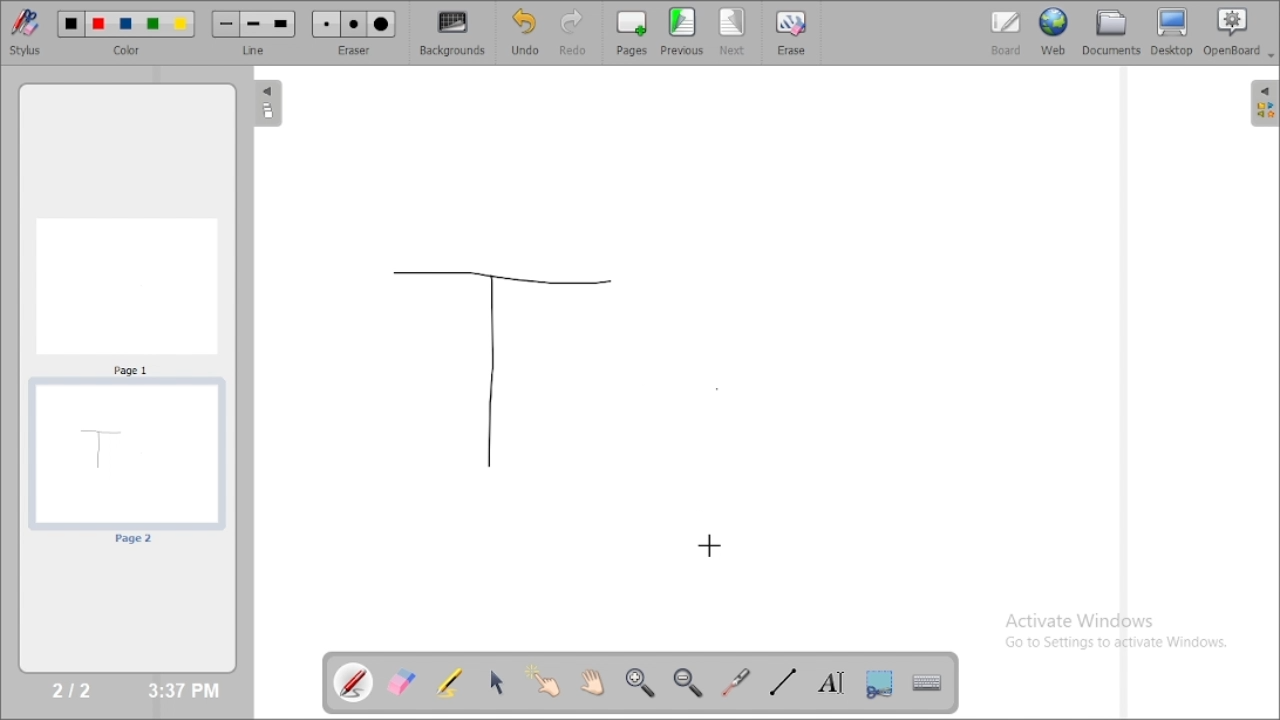 The width and height of the screenshot is (1280, 720). What do you see at coordinates (126, 464) in the screenshot?
I see `page 2` at bounding box center [126, 464].